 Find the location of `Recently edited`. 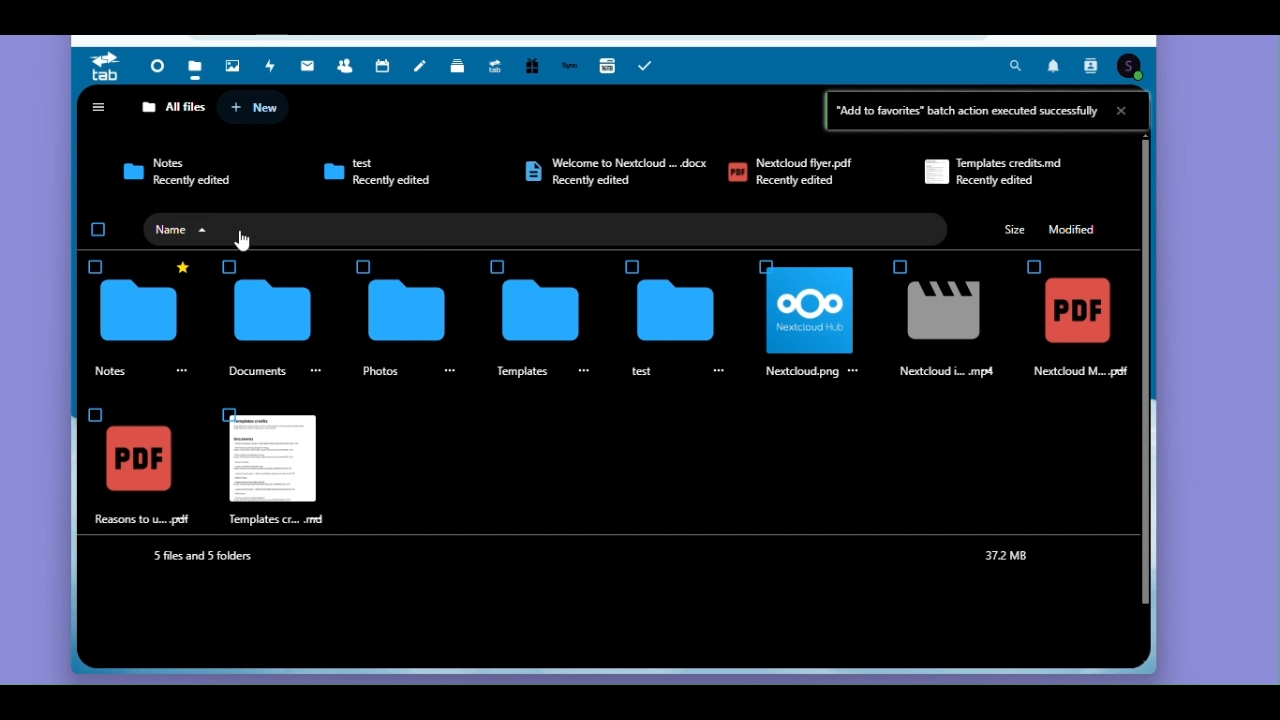

Recently edited is located at coordinates (803, 183).